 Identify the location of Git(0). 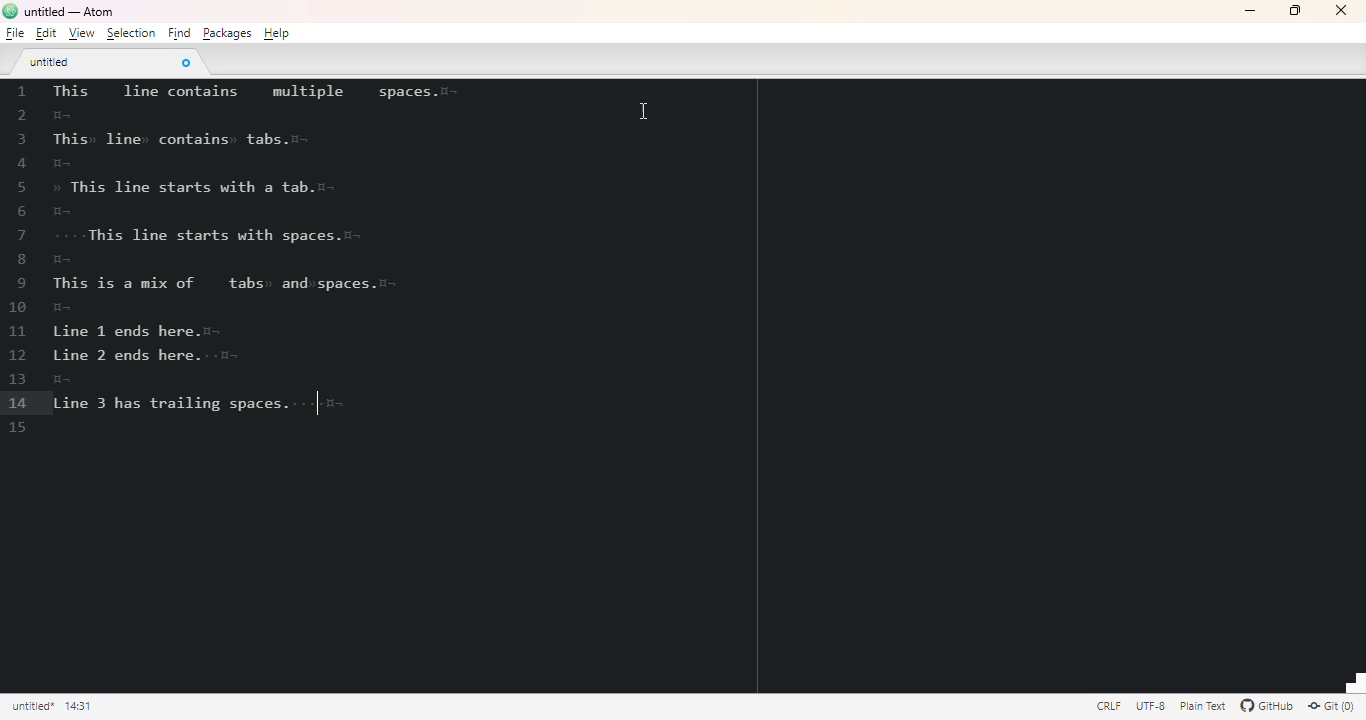
(1330, 705).